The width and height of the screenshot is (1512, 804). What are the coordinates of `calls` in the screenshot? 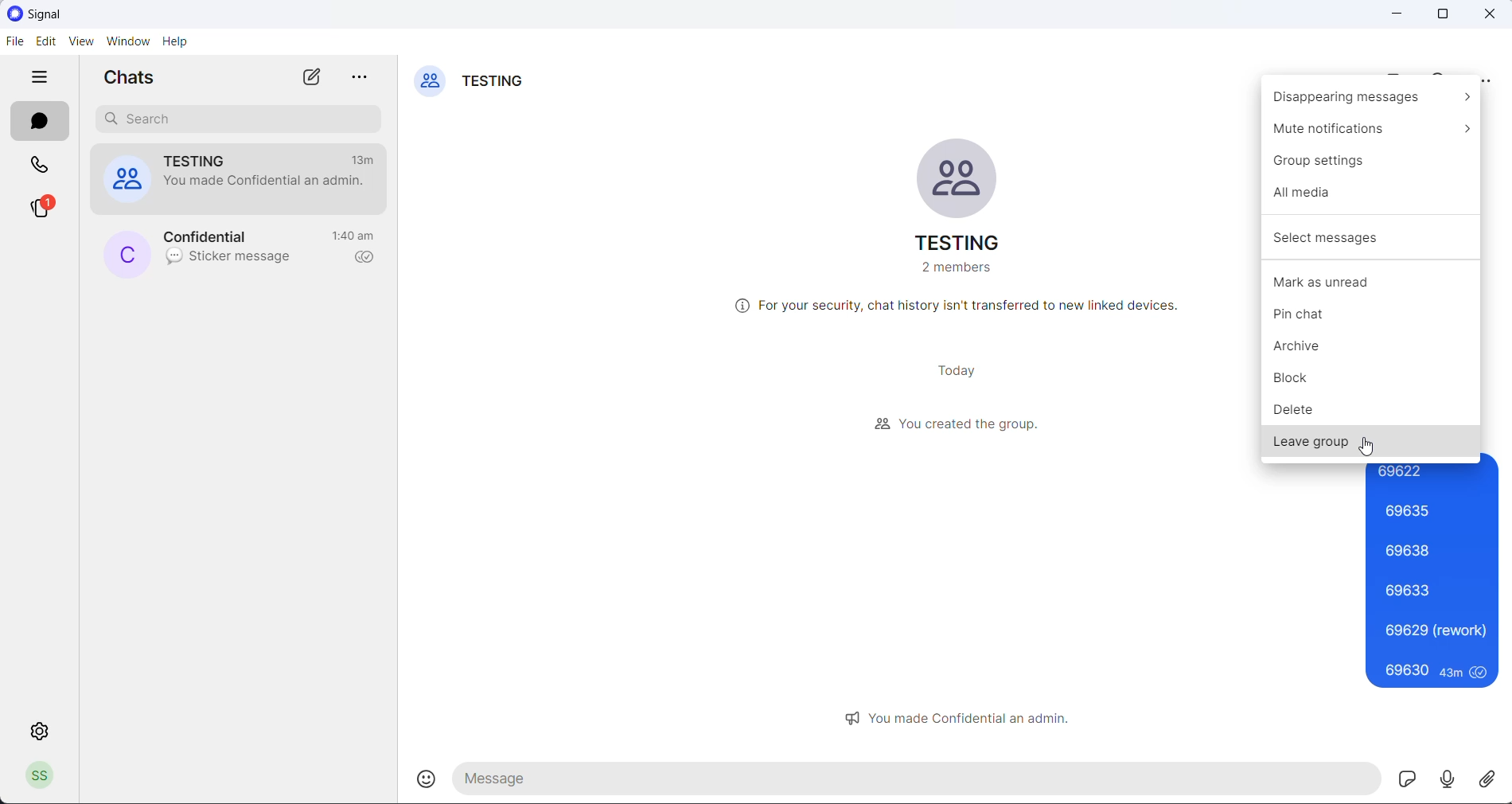 It's located at (41, 168).